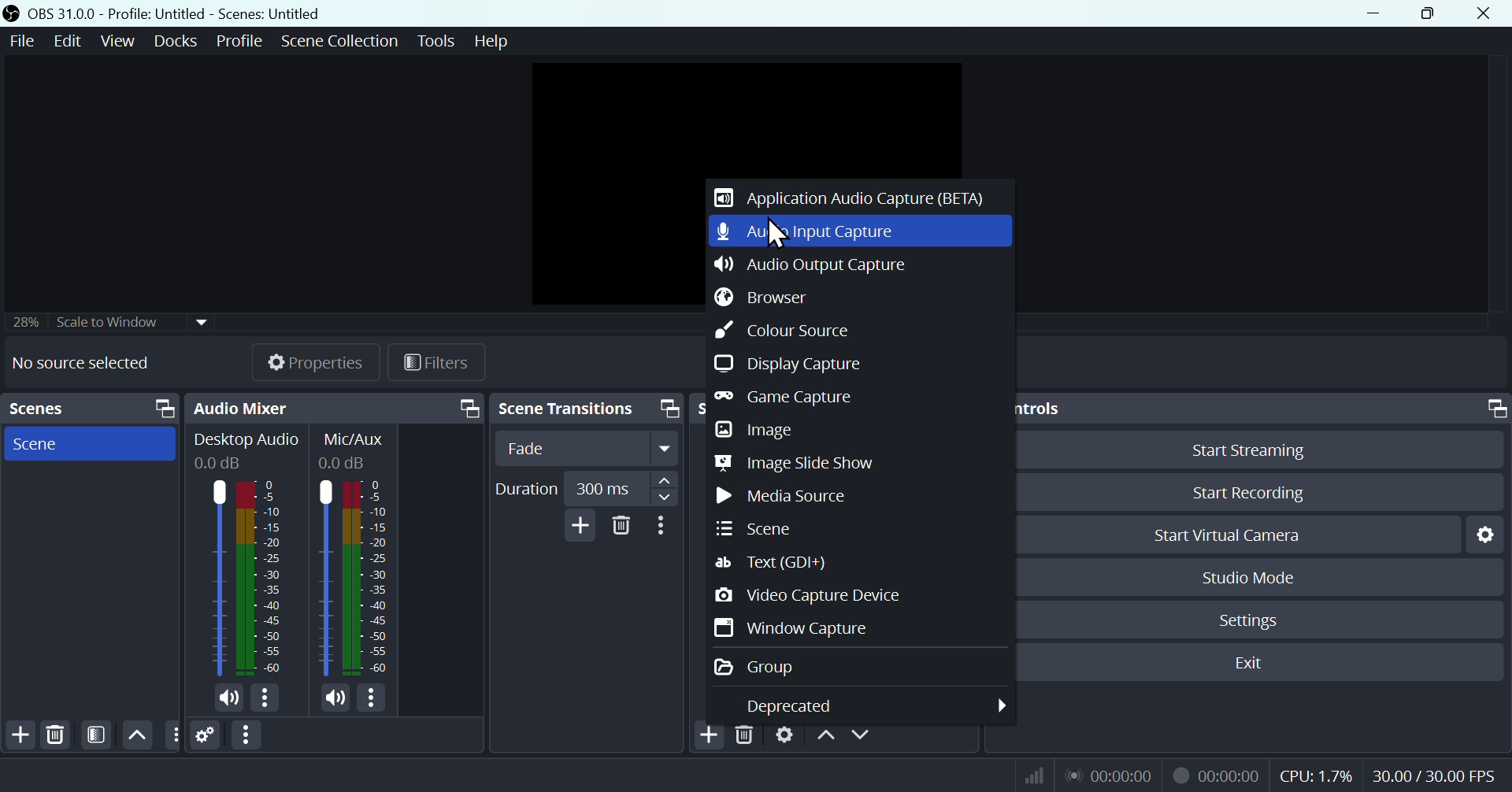 The width and height of the screenshot is (1512, 792). I want to click on Scenes, so click(89, 409).